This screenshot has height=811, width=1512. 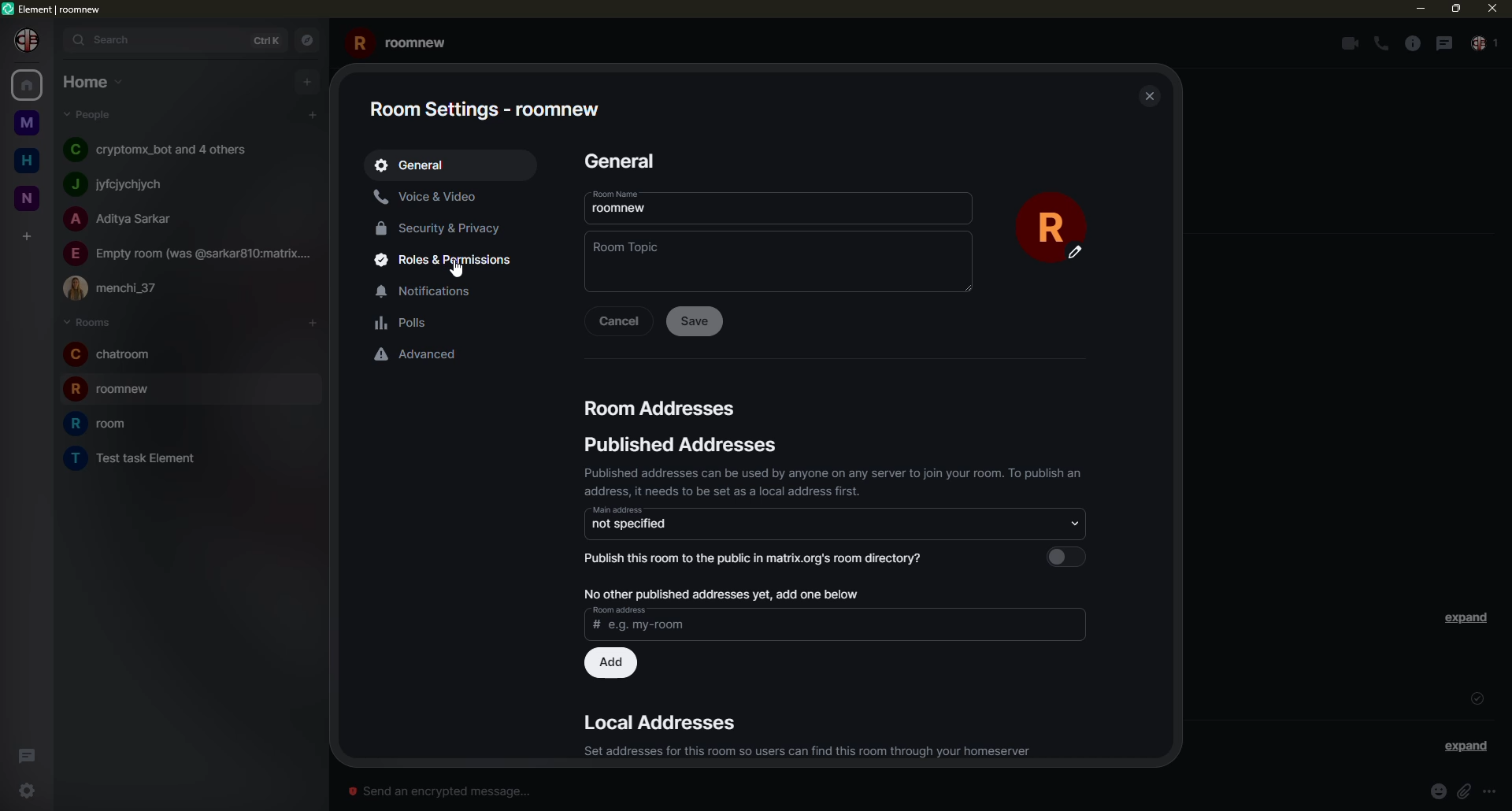 I want to click on polls, so click(x=405, y=324).